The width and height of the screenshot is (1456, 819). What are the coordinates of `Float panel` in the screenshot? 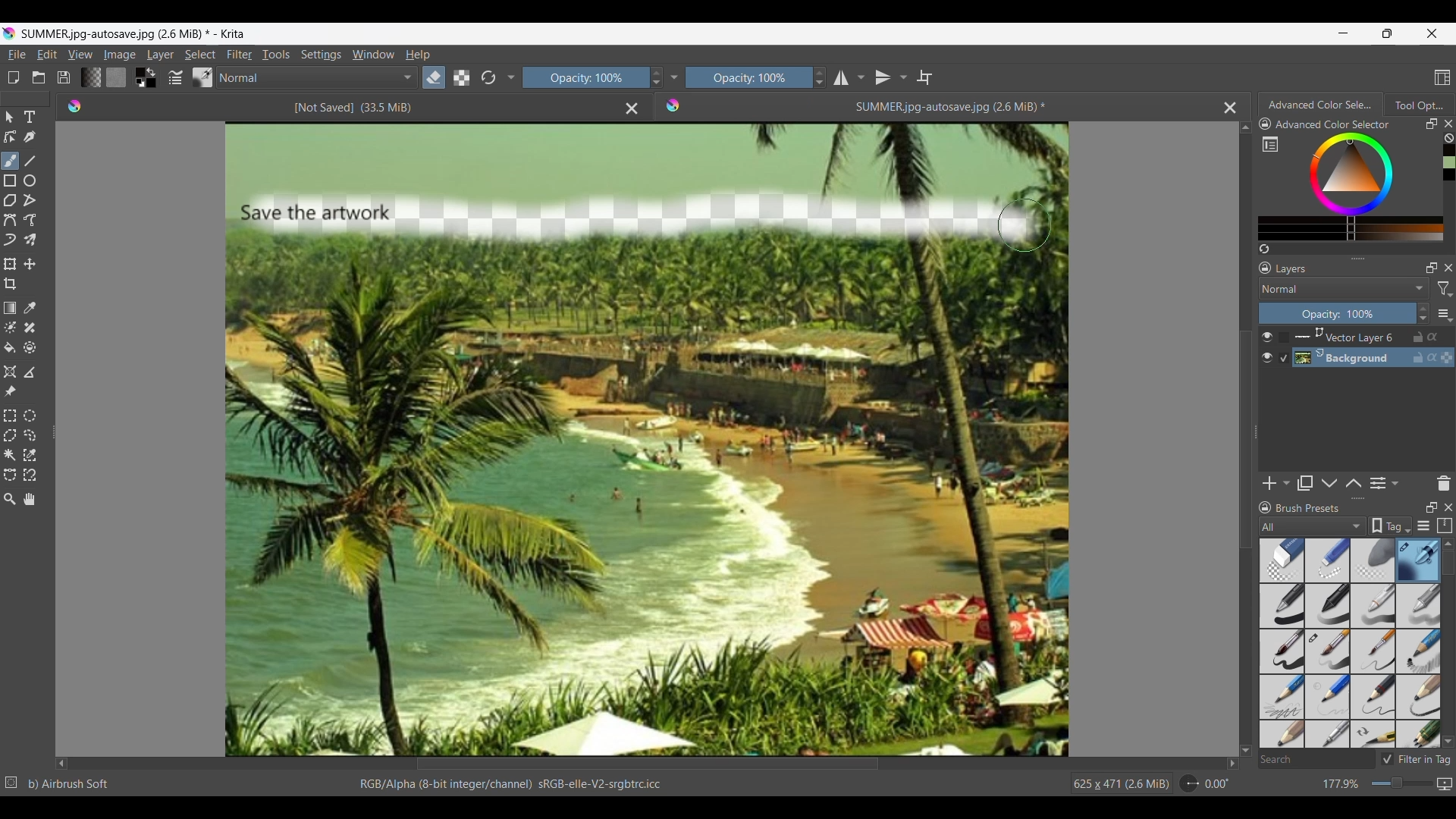 It's located at (1432, 124).